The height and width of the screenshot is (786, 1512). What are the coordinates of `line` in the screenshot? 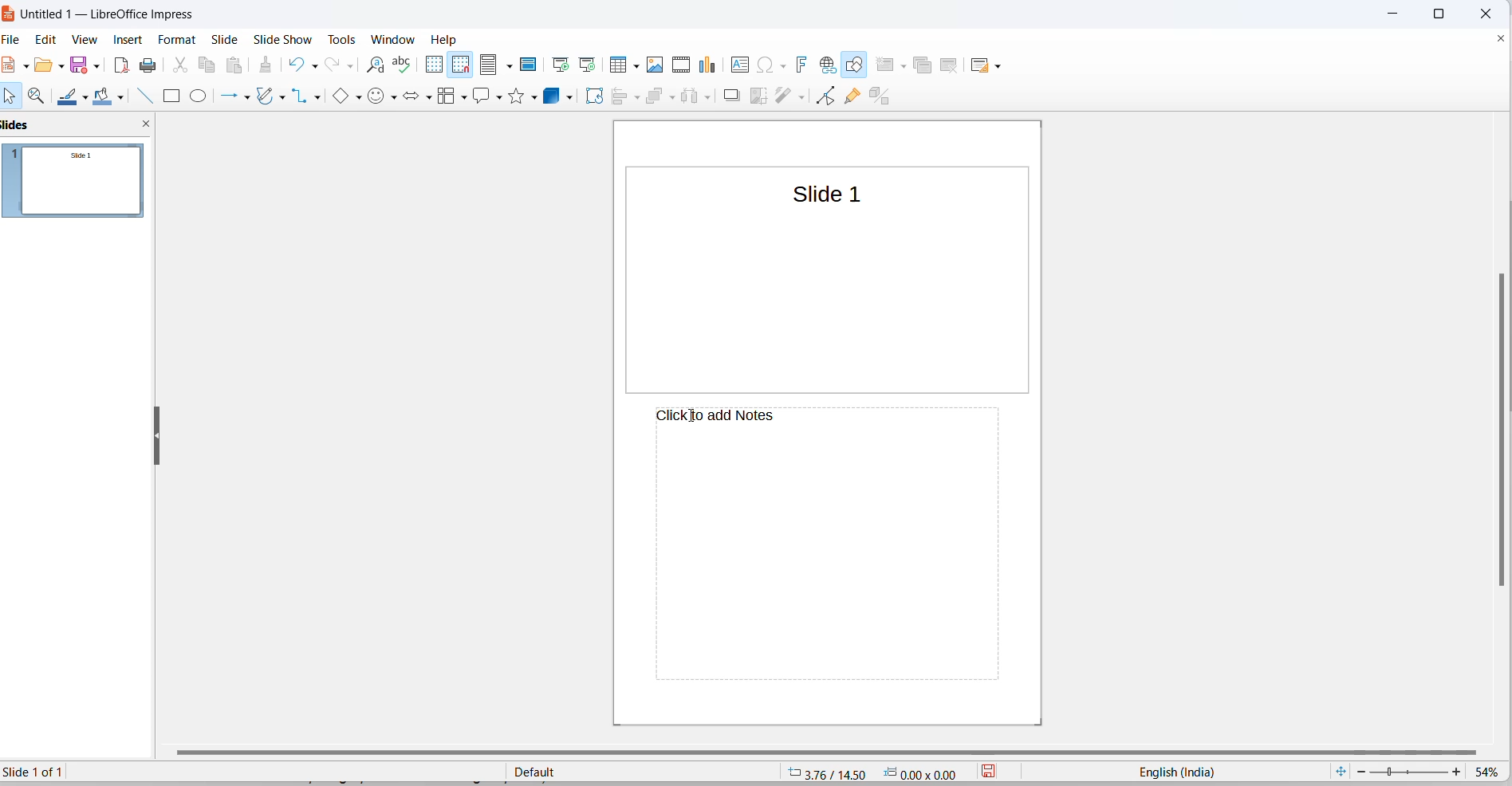 It's located at (144, 97).